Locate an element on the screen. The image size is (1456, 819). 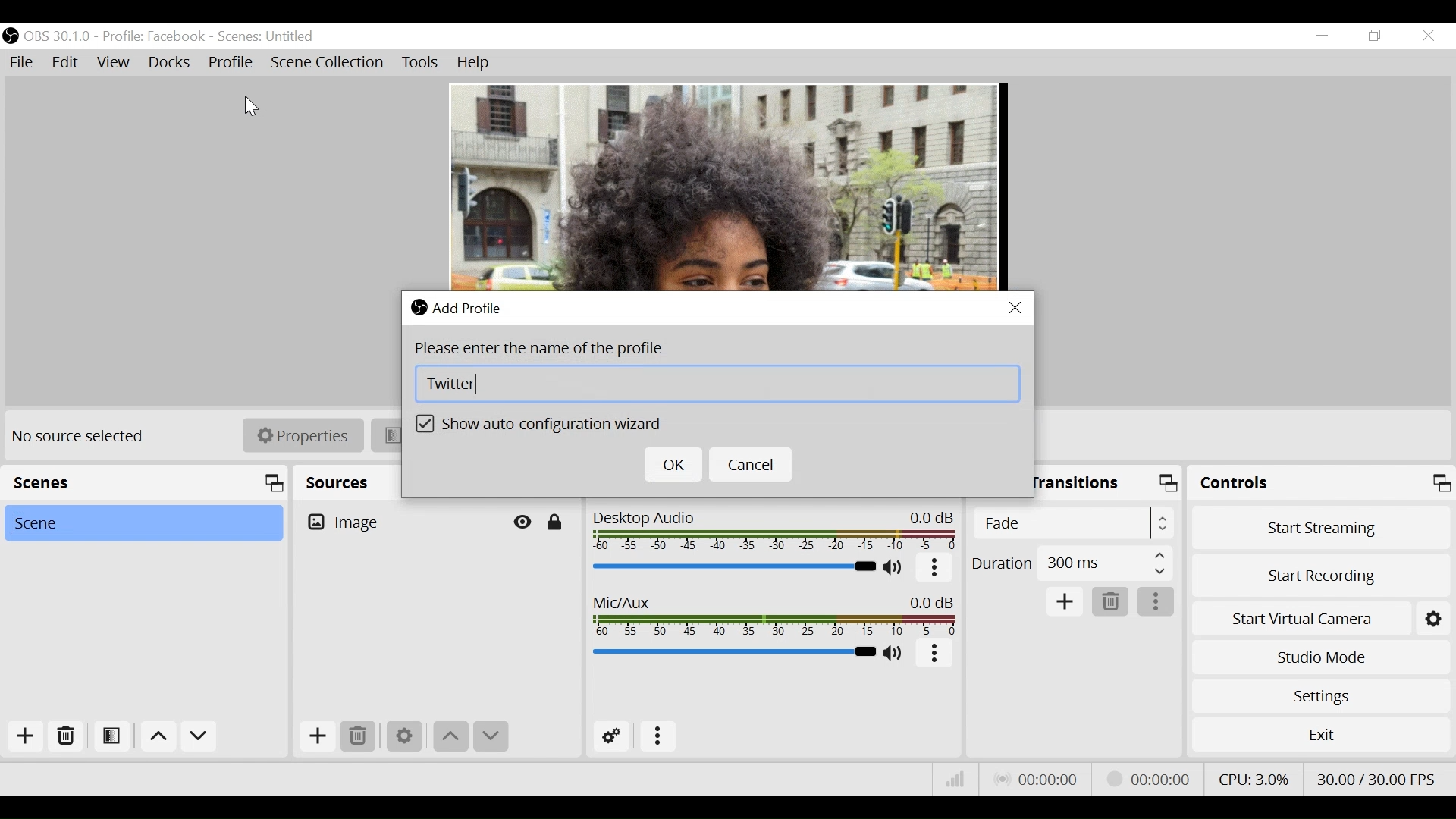
Controls Panel is located at coordinates (1323, 483).